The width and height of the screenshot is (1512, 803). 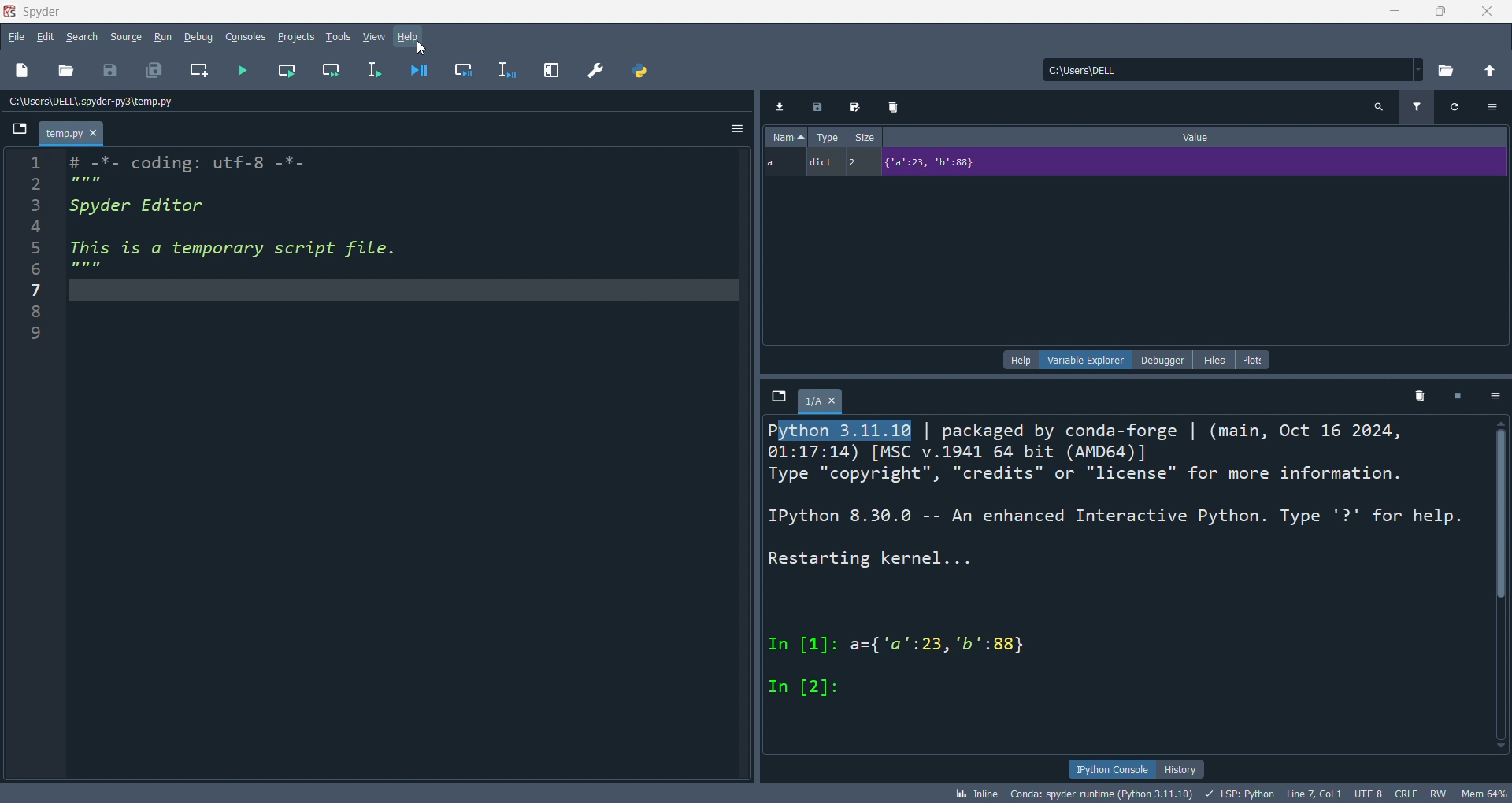 I want to click on Name, so click(x=786, y=136).